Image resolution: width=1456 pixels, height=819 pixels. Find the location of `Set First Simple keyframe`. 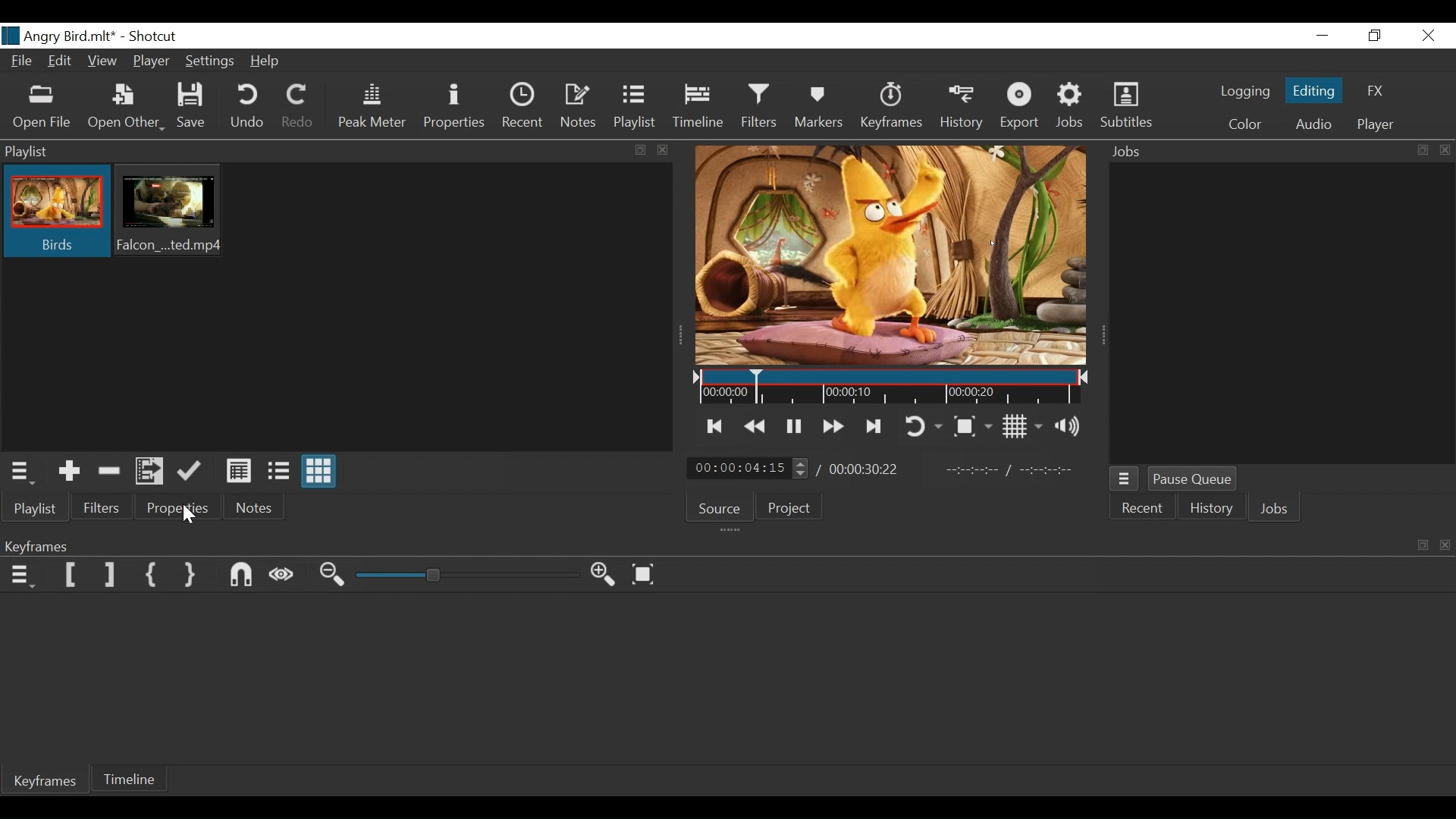

Set First Simple keyframe is located at coordinates (155, 576).